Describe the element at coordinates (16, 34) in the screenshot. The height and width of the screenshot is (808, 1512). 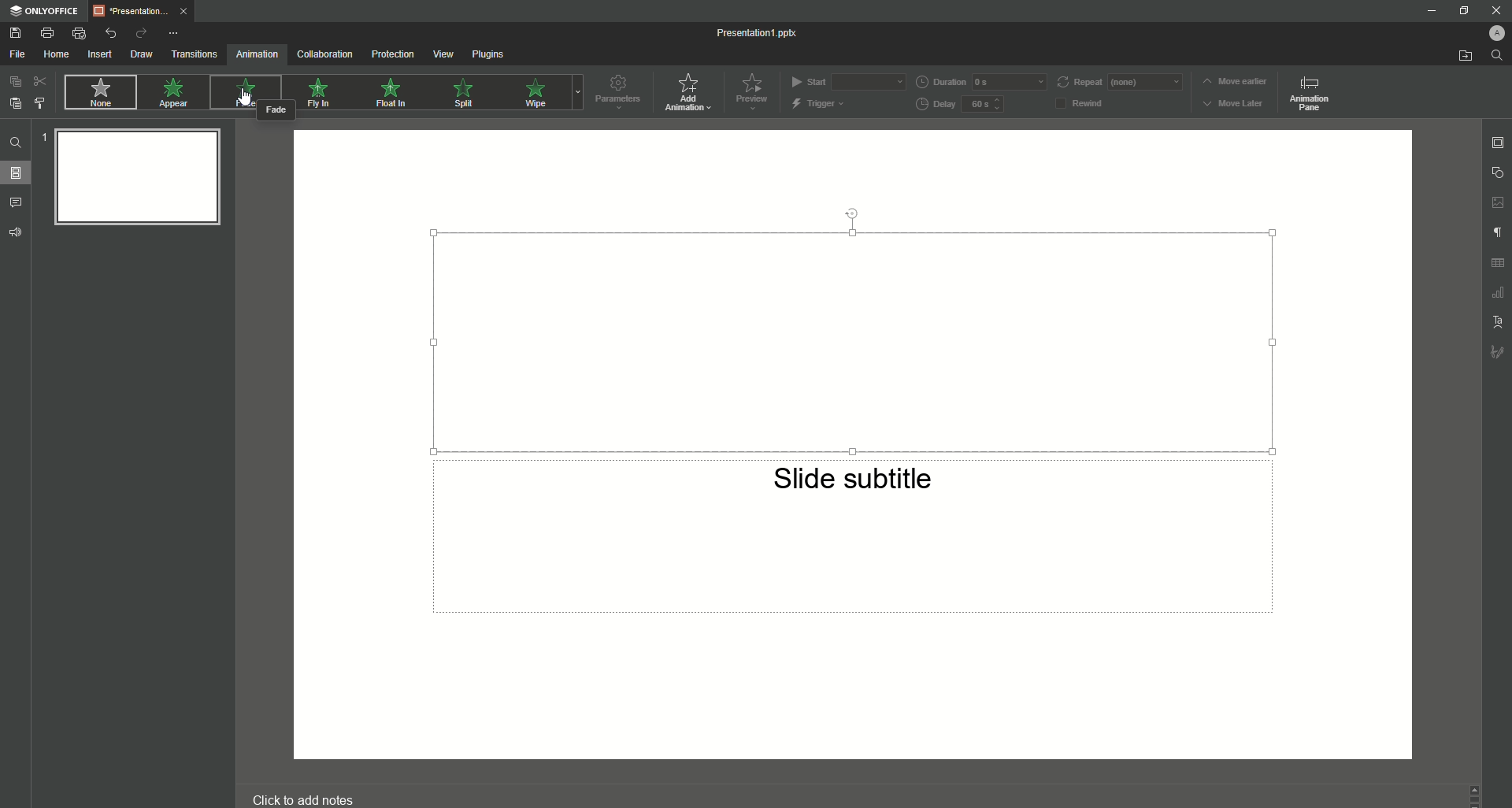
I see `Save` at that location.